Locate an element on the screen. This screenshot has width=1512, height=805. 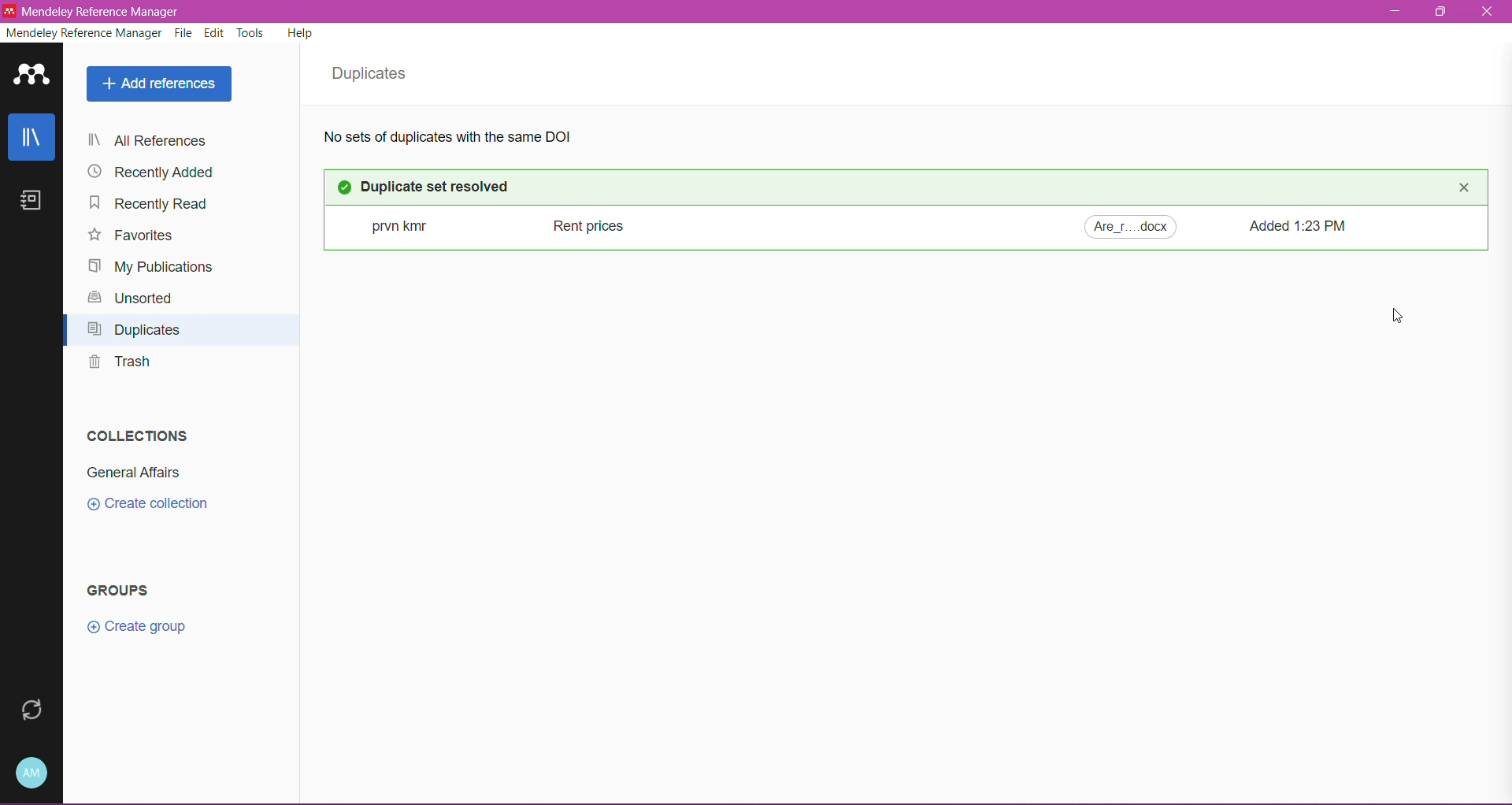
Duplicate set resolved is located at coordinates (449, 186).